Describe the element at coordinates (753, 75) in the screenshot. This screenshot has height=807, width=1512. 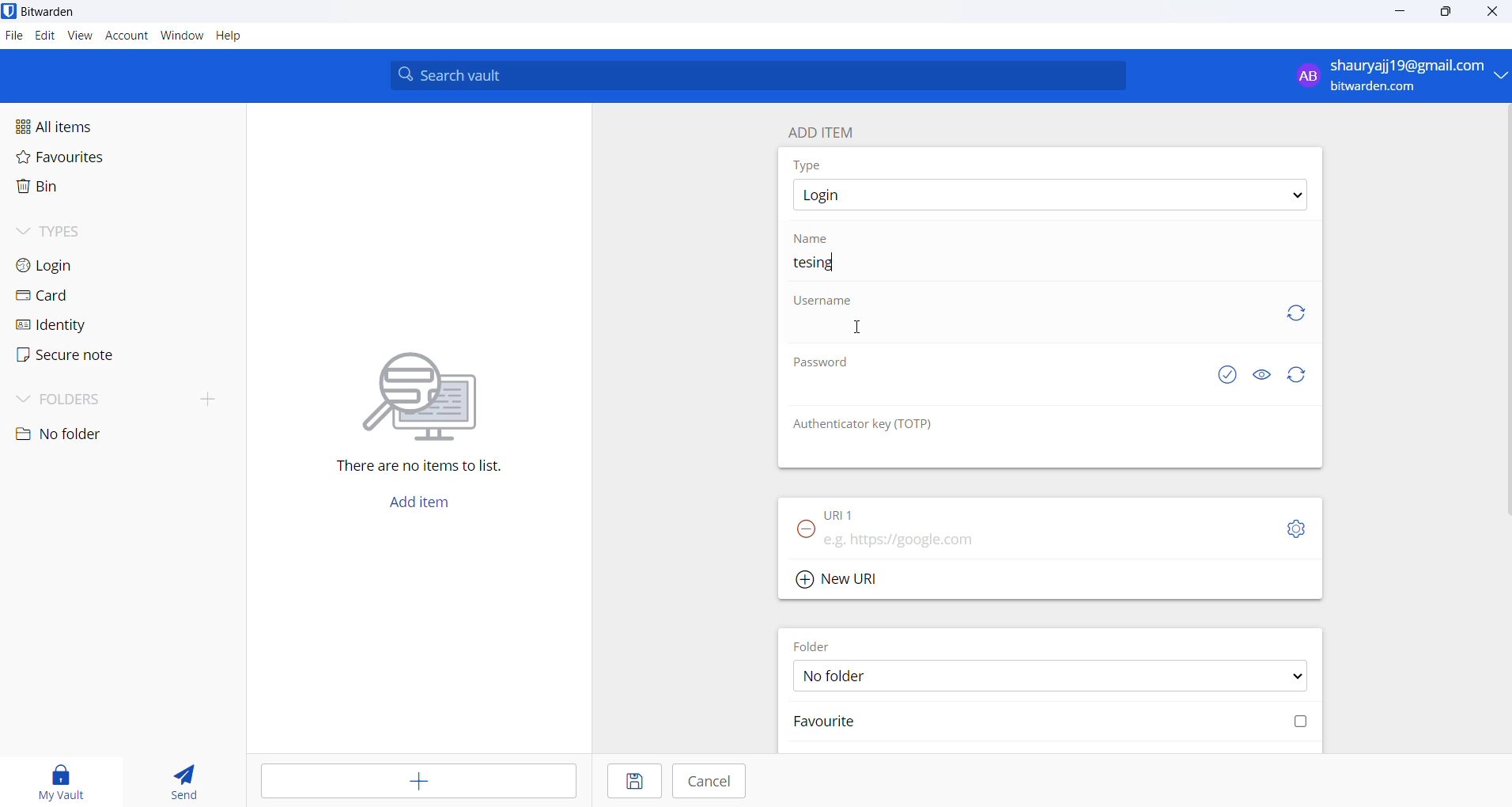
I see `Search vault input box` at that location.